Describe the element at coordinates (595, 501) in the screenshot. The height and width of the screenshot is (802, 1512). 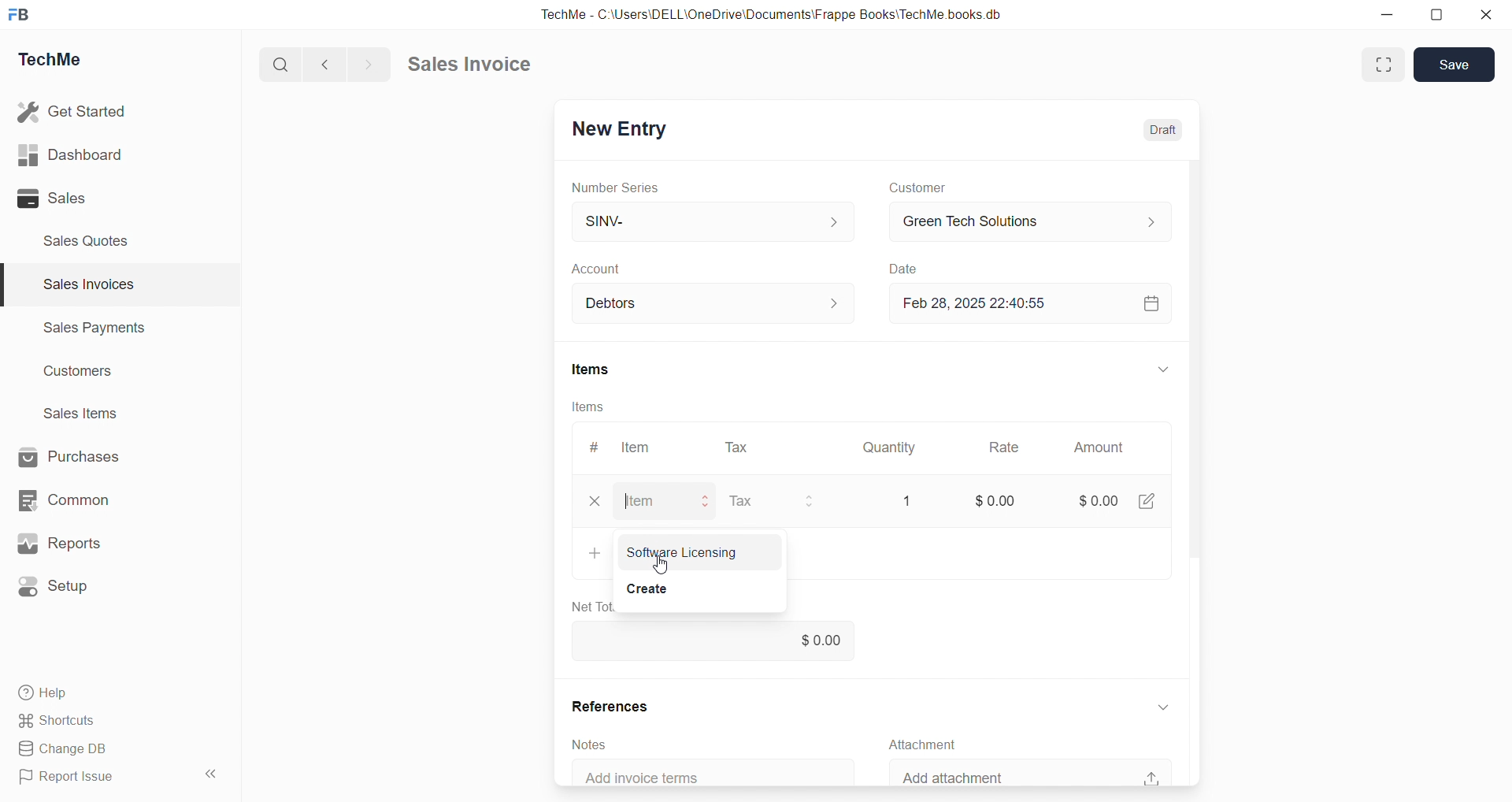
I see `close` at that location.